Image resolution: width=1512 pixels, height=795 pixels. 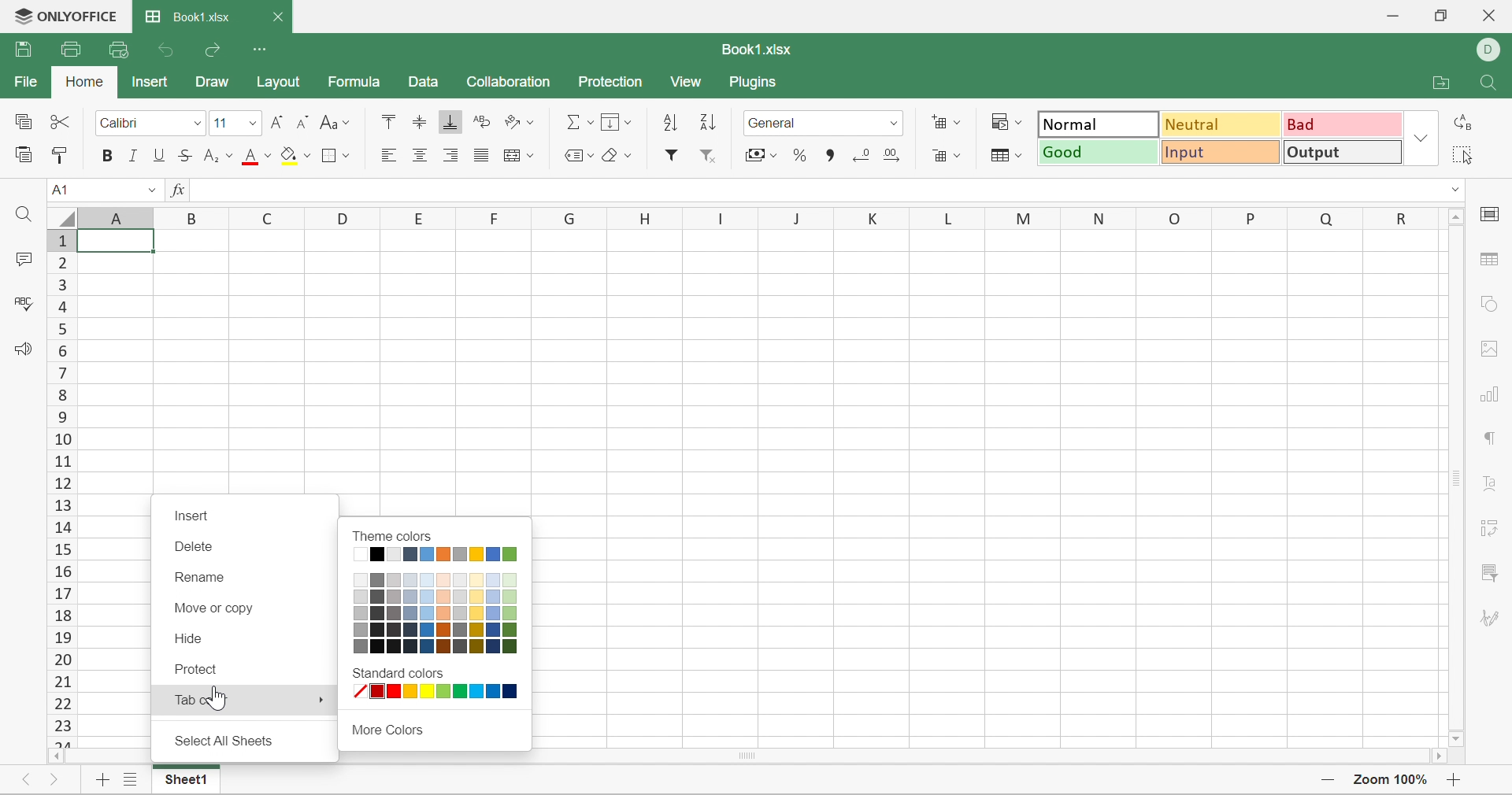 What do you see at coordinates (201, 670) in the screenshot?
I see `Protect` at bounding box center [201, 670].